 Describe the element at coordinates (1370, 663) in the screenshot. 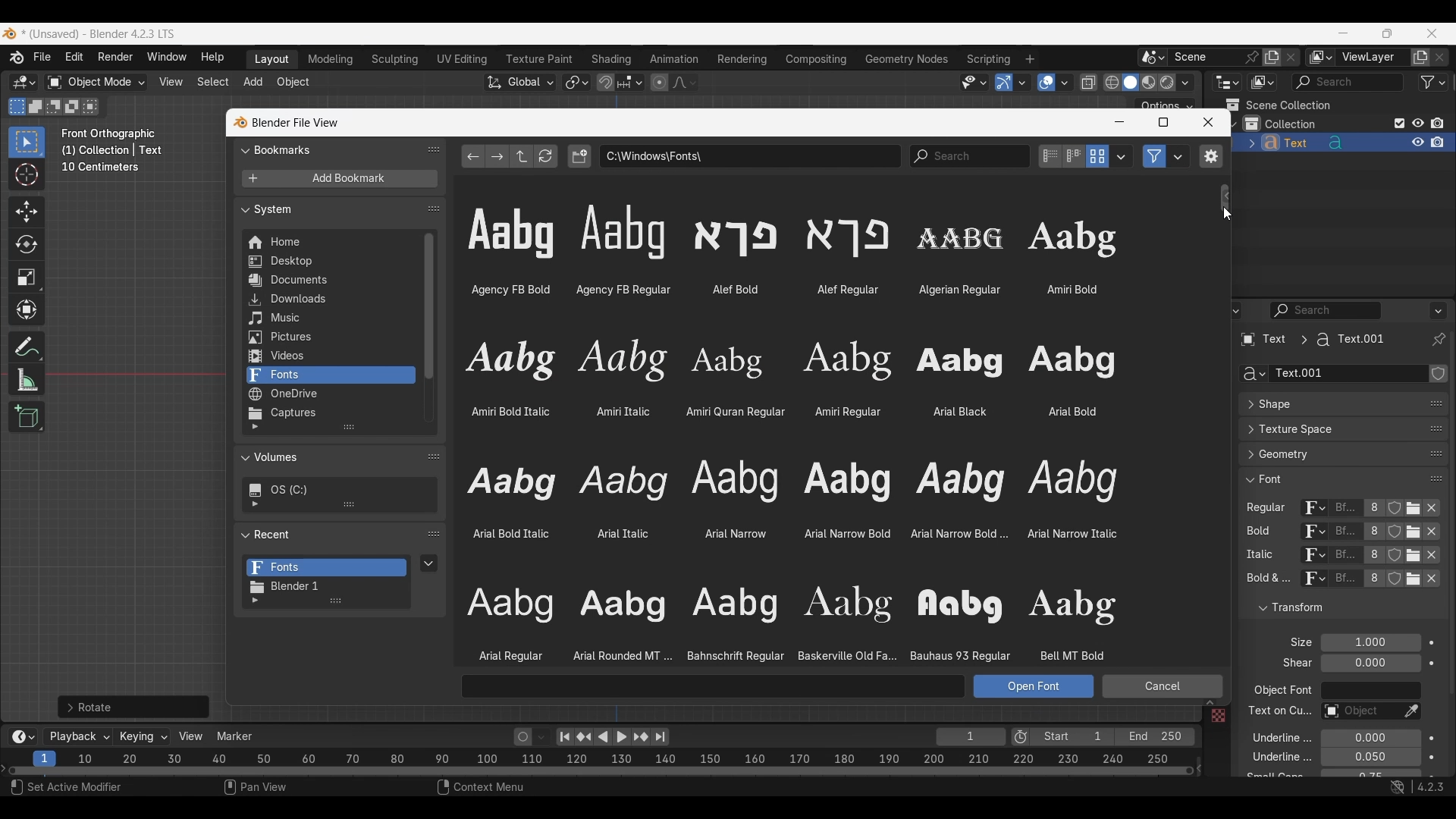

I see `Shear` at that location.